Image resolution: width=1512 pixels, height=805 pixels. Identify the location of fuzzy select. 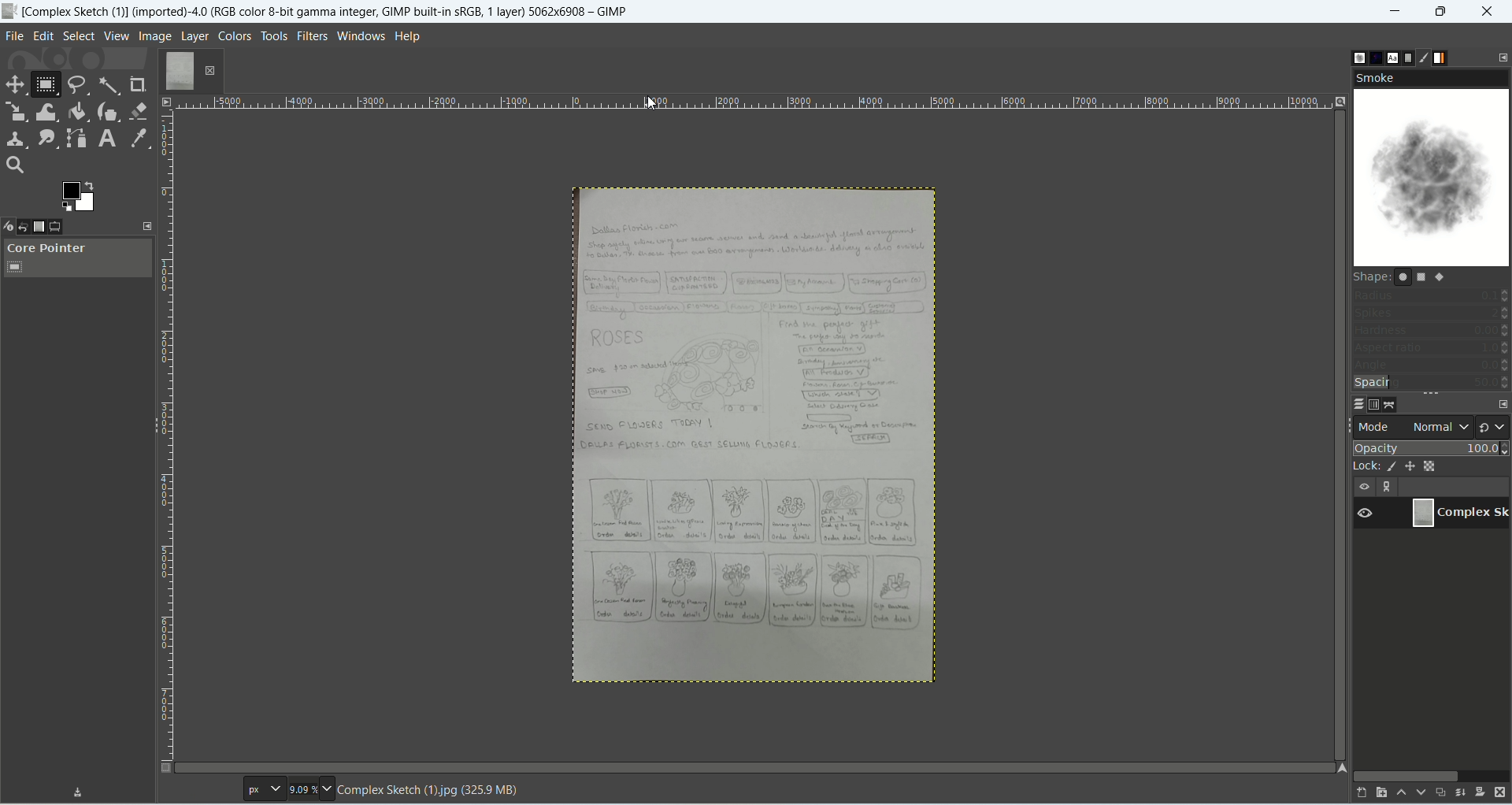
(109, 86).